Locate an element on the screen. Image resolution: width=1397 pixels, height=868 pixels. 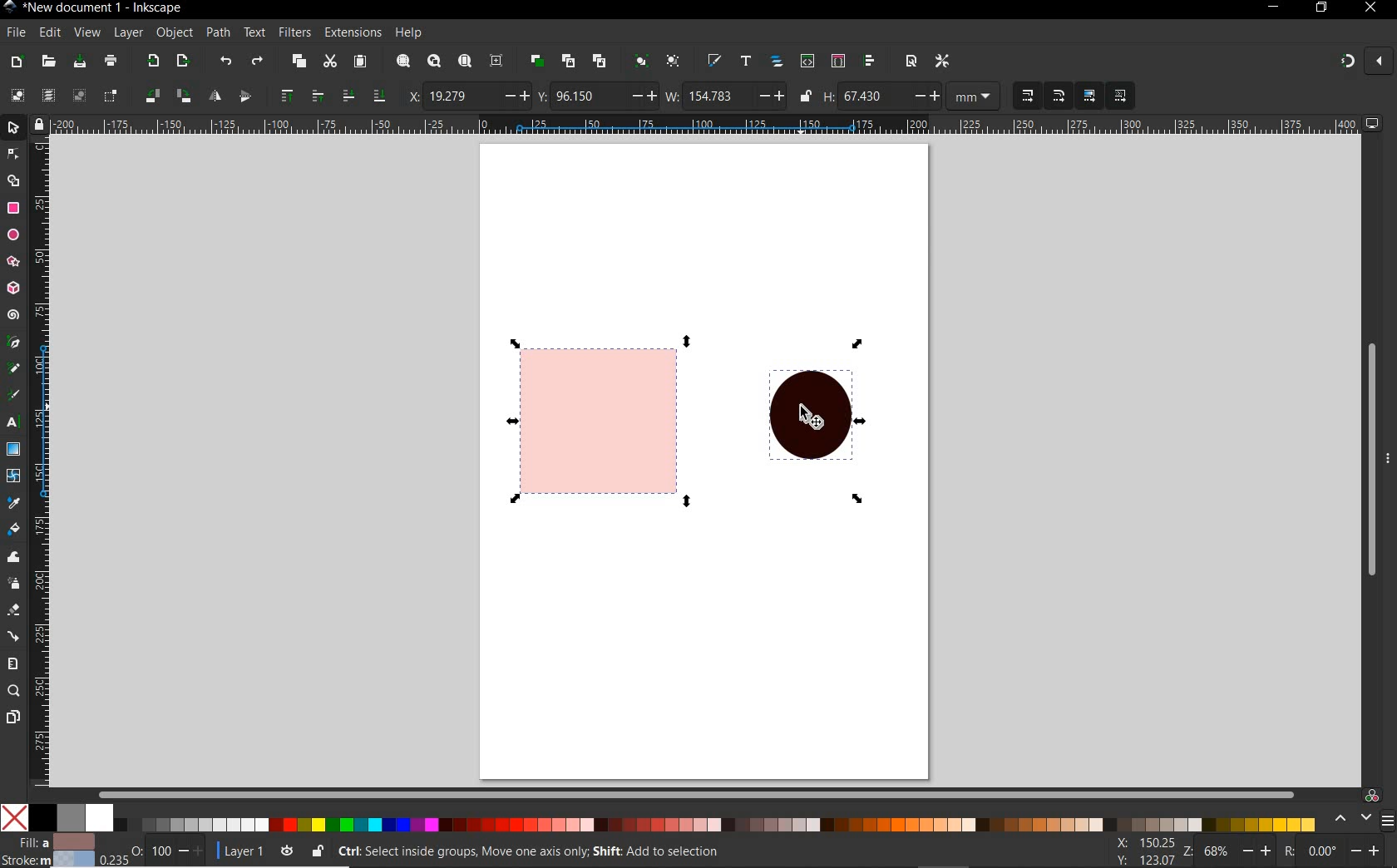
lock or unlock the object is located at coordinates (318, 851).